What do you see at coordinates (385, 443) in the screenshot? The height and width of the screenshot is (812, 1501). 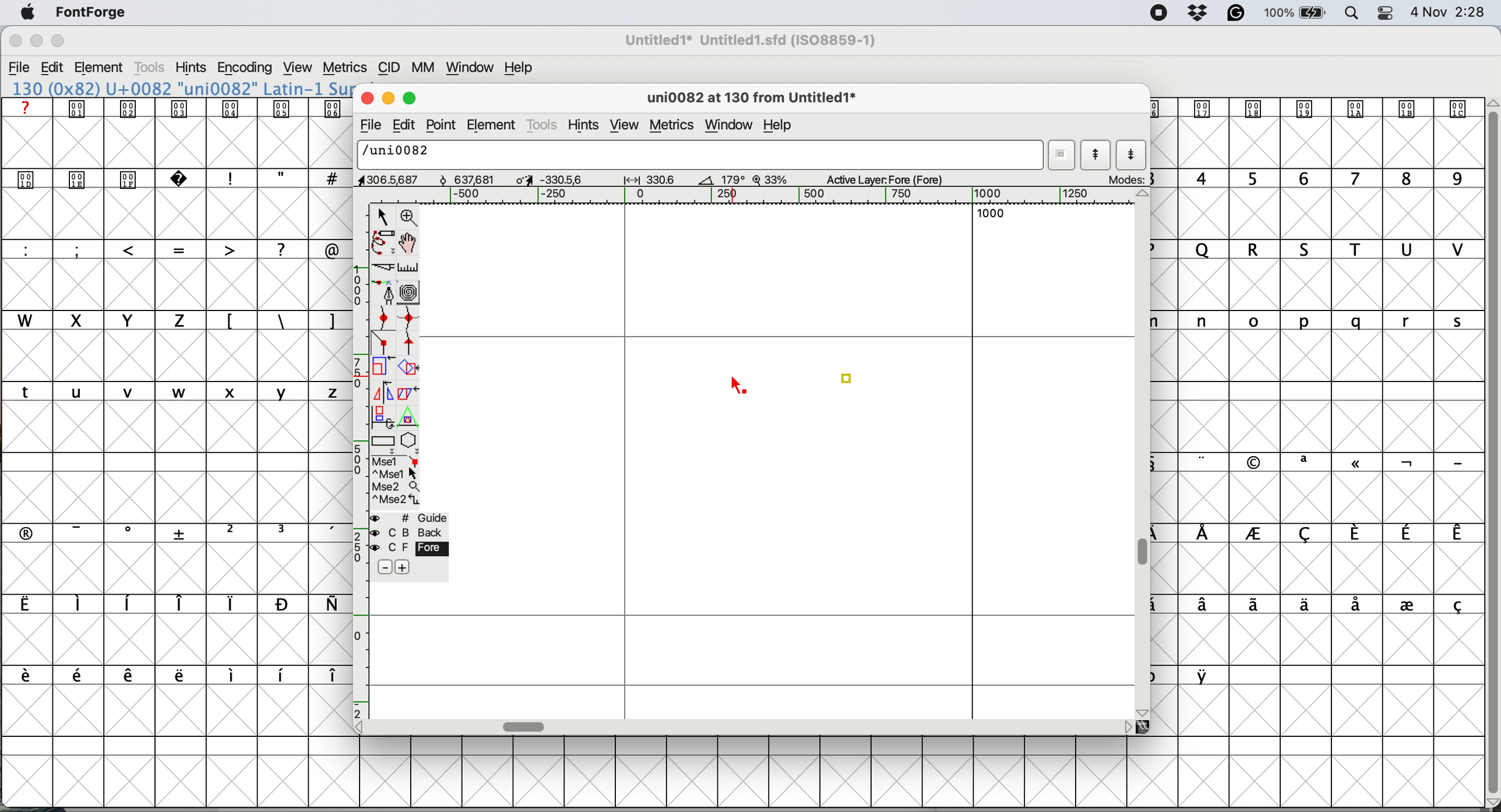 I see `rectangles and ellipses` at bounding box center [385, 443].